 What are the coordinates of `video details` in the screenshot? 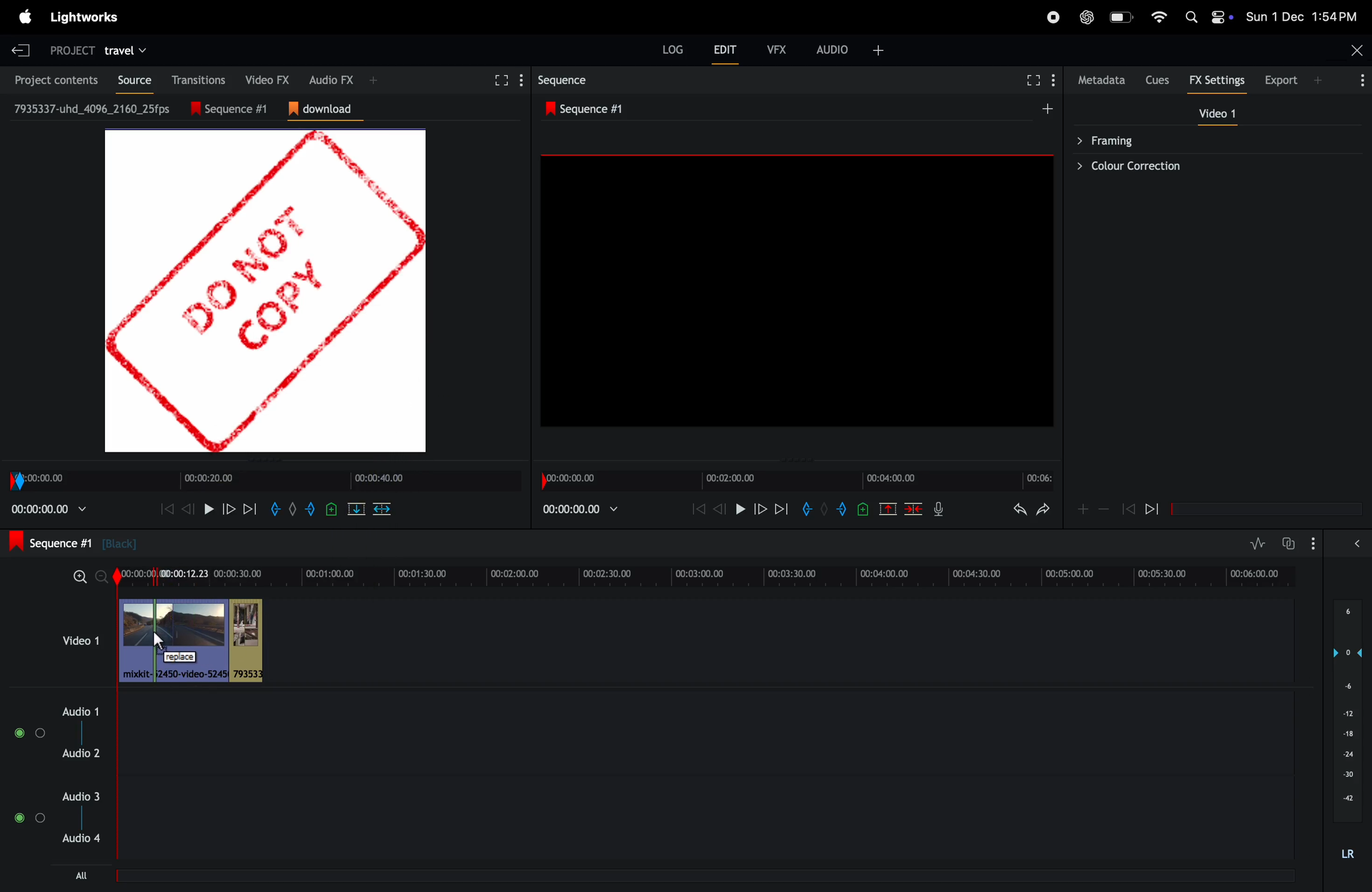 It's located at (93, 108).